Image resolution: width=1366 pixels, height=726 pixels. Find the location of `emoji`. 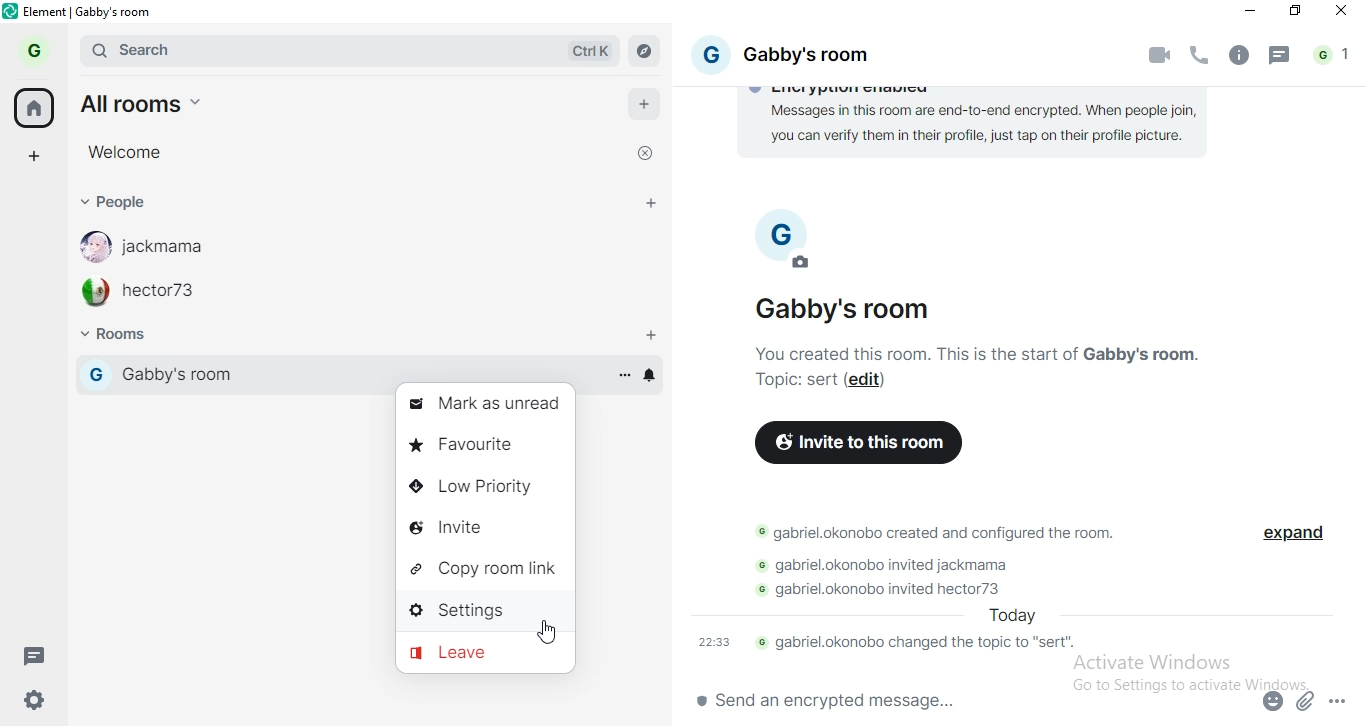

emoji is located at coordinates (1270, 705).